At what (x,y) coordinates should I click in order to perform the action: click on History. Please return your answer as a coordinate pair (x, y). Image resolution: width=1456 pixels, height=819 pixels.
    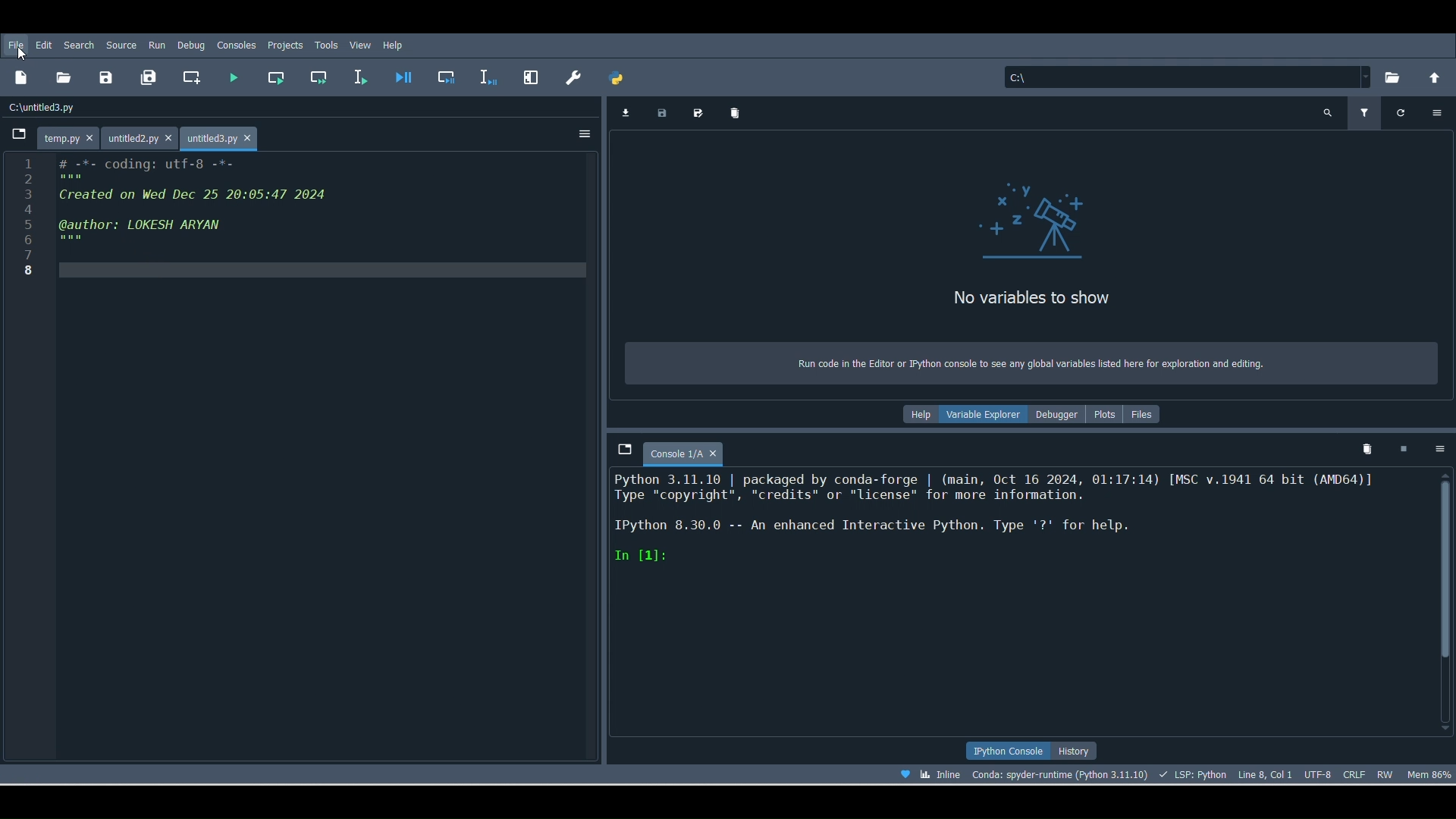
    Looking at the image, I should click on (1081, 750).